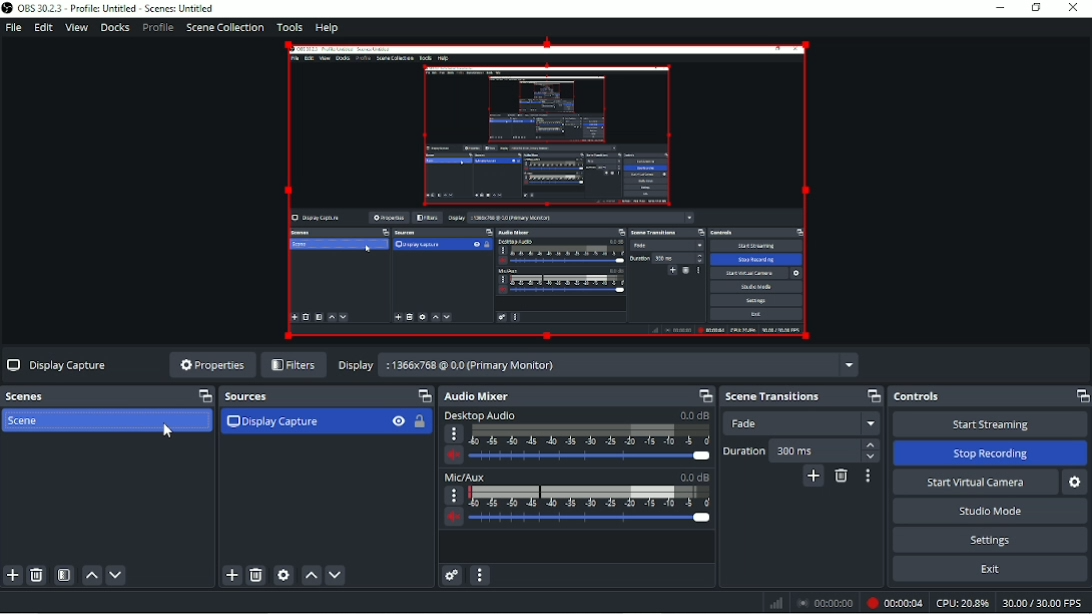 The height and width of the screenshot is (614, 1092). Describe the element at coordinates (1081, 395) in the screenshot. I see `Maximize` at that location.